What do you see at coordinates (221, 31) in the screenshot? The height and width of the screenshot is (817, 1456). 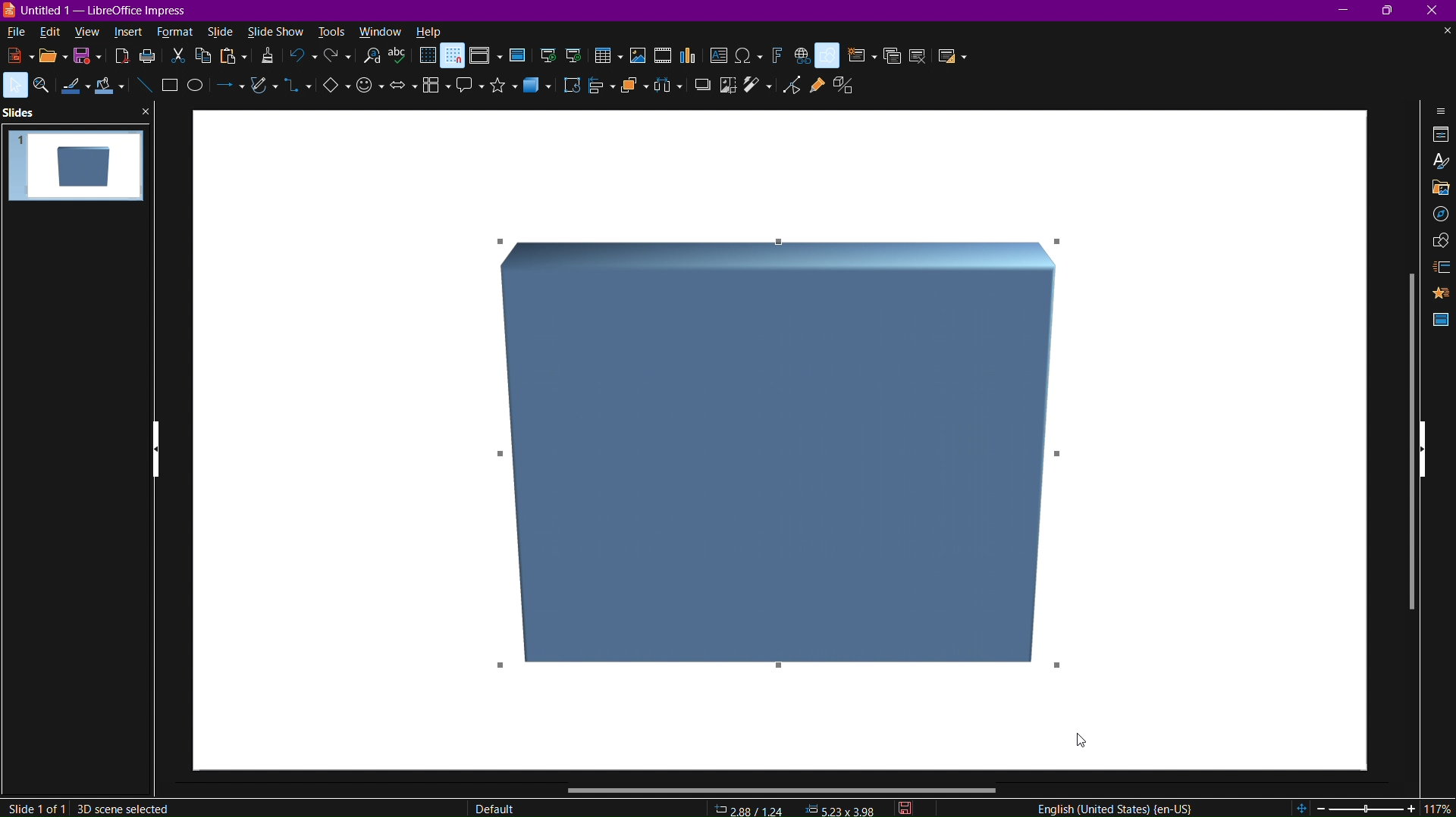 I see `slide` at bounding box center [221, 31].